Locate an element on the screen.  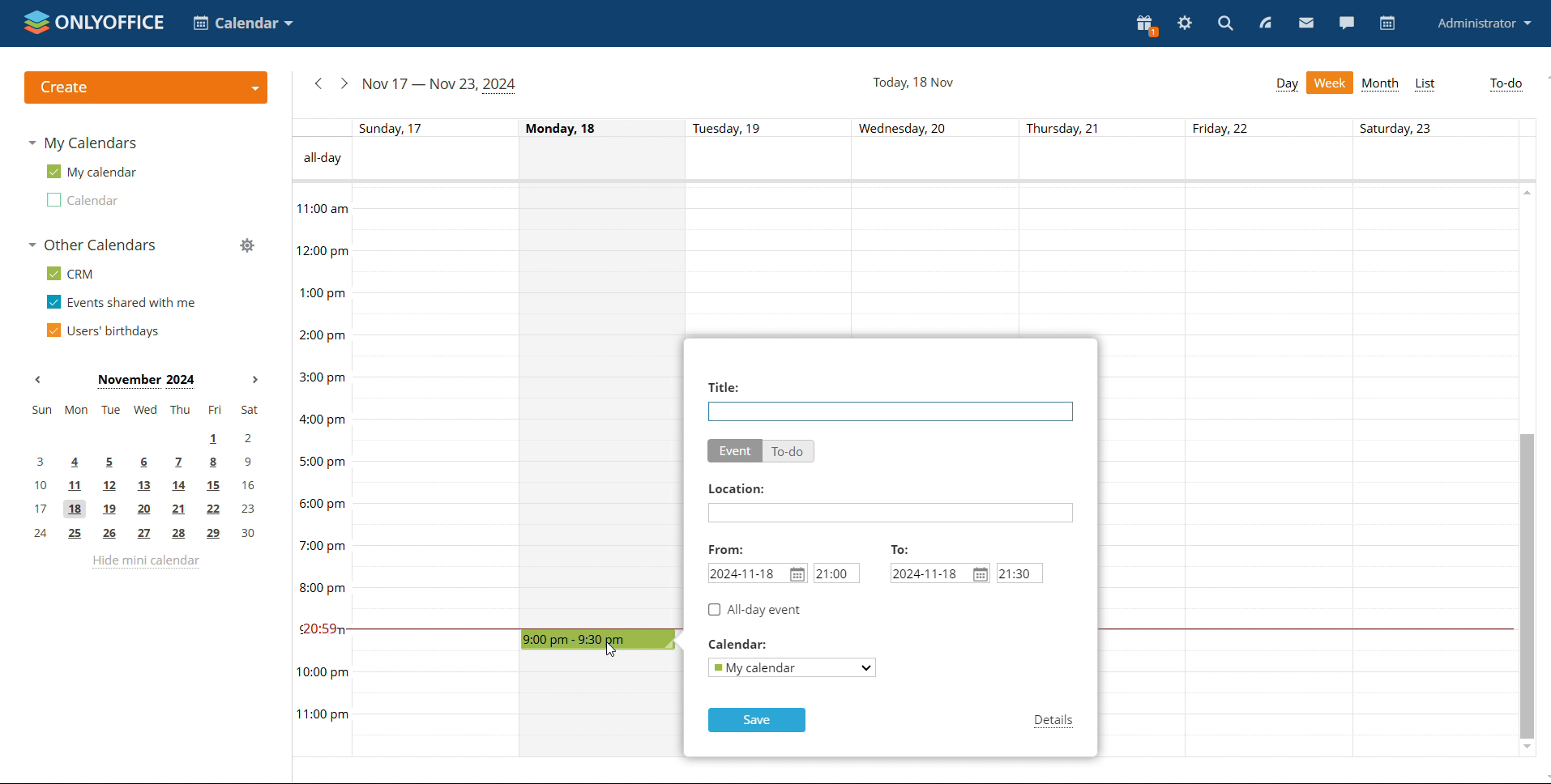
save is located at coordinates (756, 720).